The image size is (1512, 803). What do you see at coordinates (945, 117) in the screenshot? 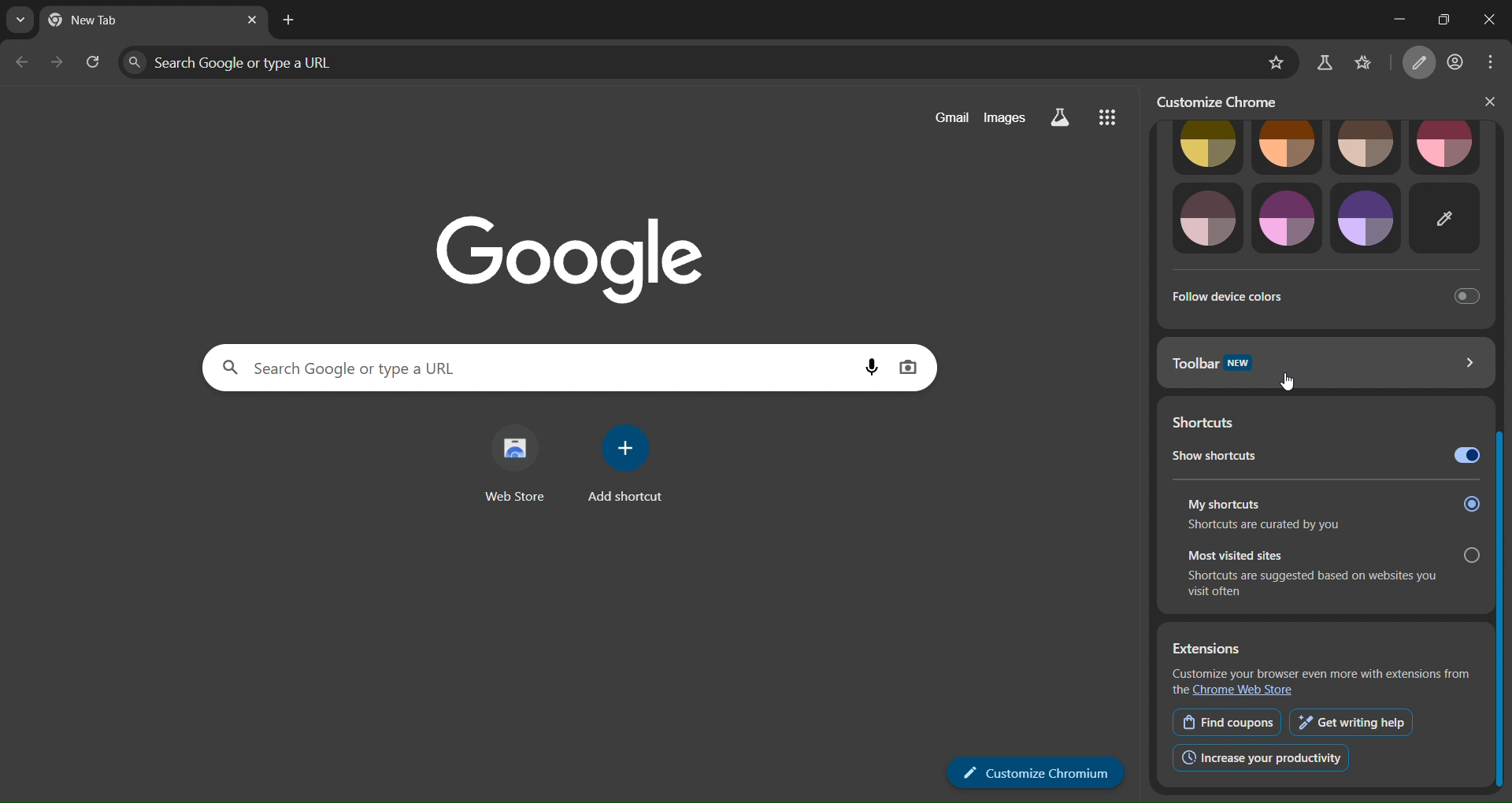
I see `gmail` at bounding box center [945, 117].